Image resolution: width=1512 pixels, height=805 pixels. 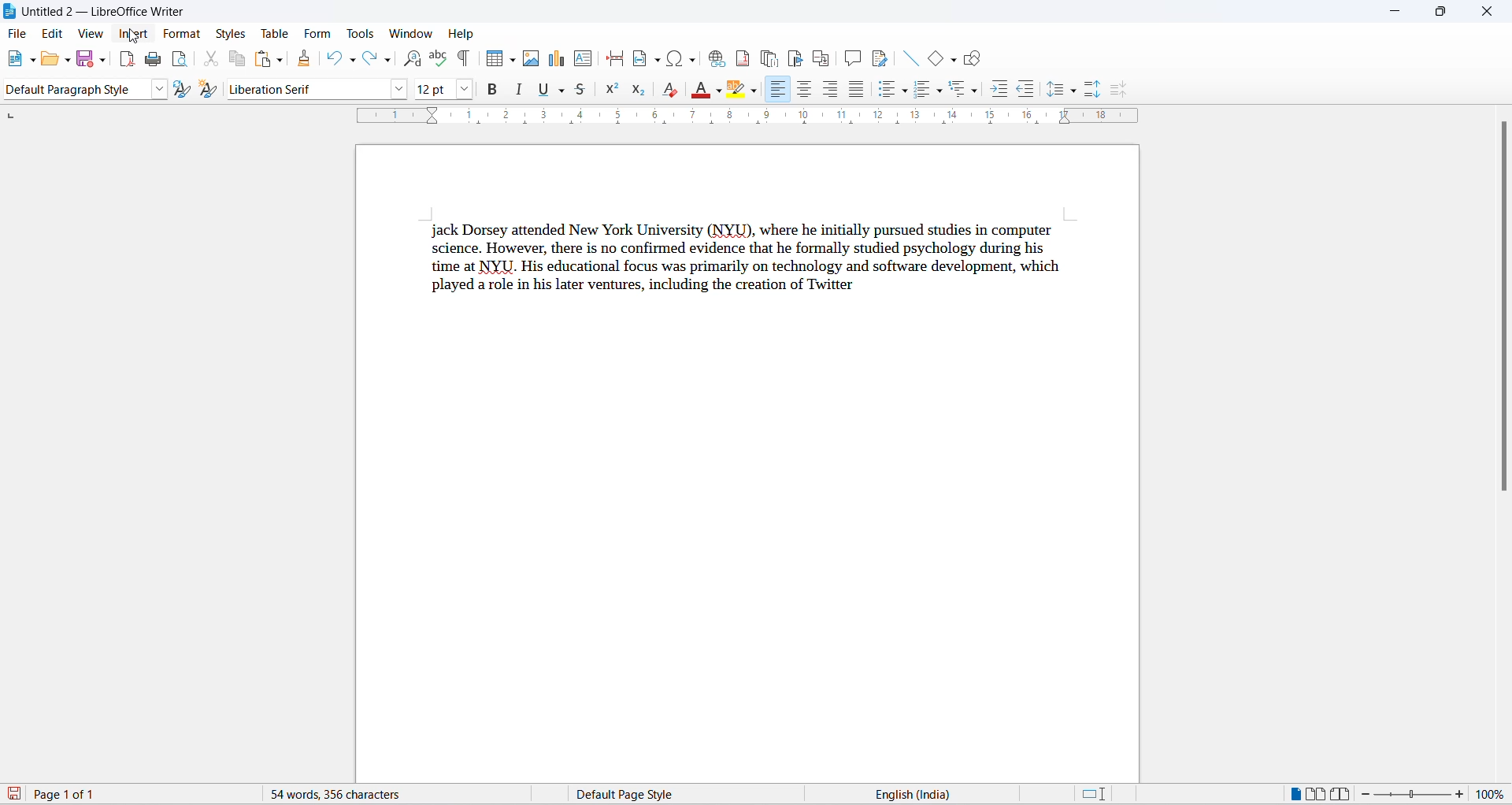 I want to click on Default Page Style, so click(x=664, y=794).